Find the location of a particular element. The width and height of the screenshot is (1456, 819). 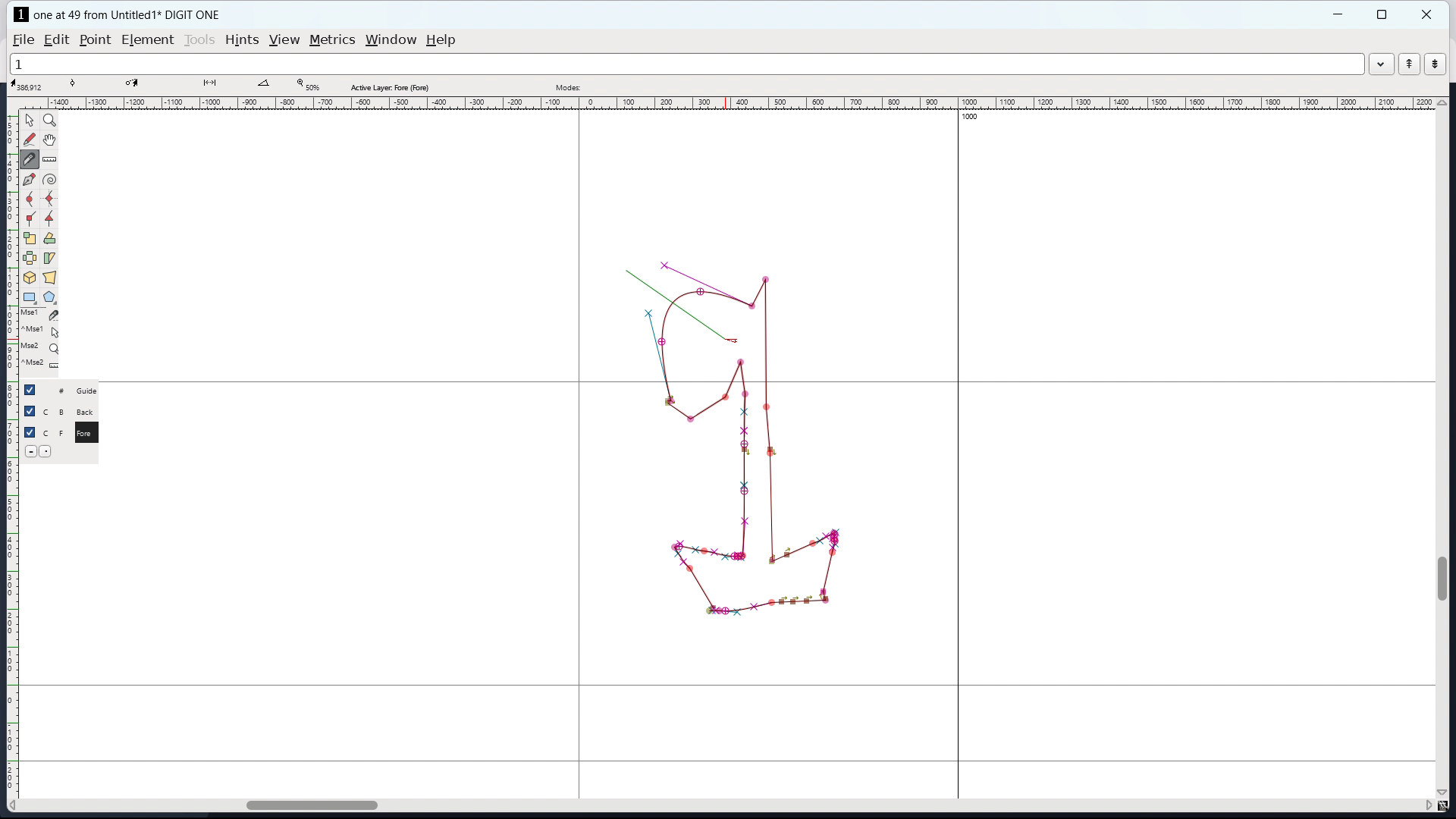

window is located at coordinates (391, 40).